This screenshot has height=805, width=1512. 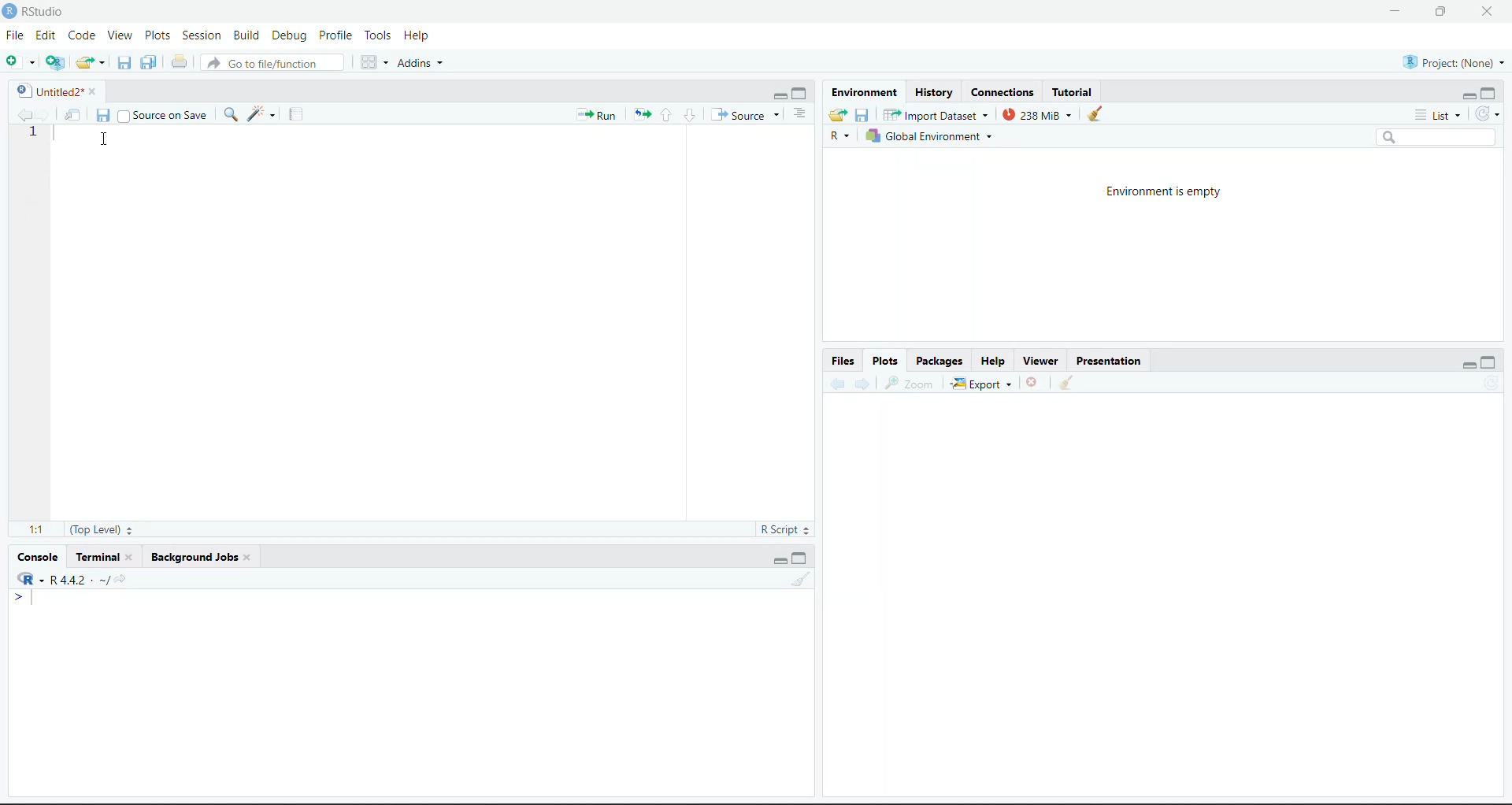 I want to click on clear, so click(x=250, y=557).